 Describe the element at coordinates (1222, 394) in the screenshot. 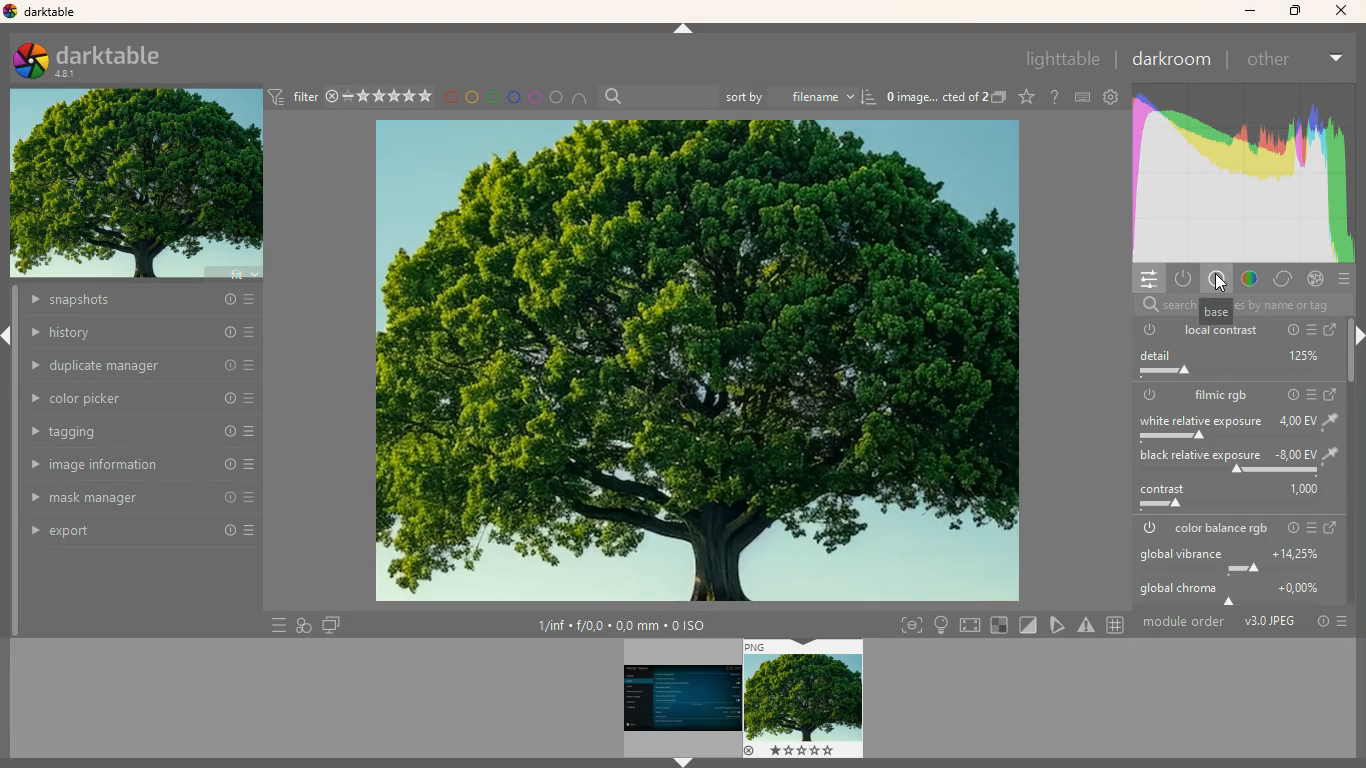

I see `filmic` at that location.